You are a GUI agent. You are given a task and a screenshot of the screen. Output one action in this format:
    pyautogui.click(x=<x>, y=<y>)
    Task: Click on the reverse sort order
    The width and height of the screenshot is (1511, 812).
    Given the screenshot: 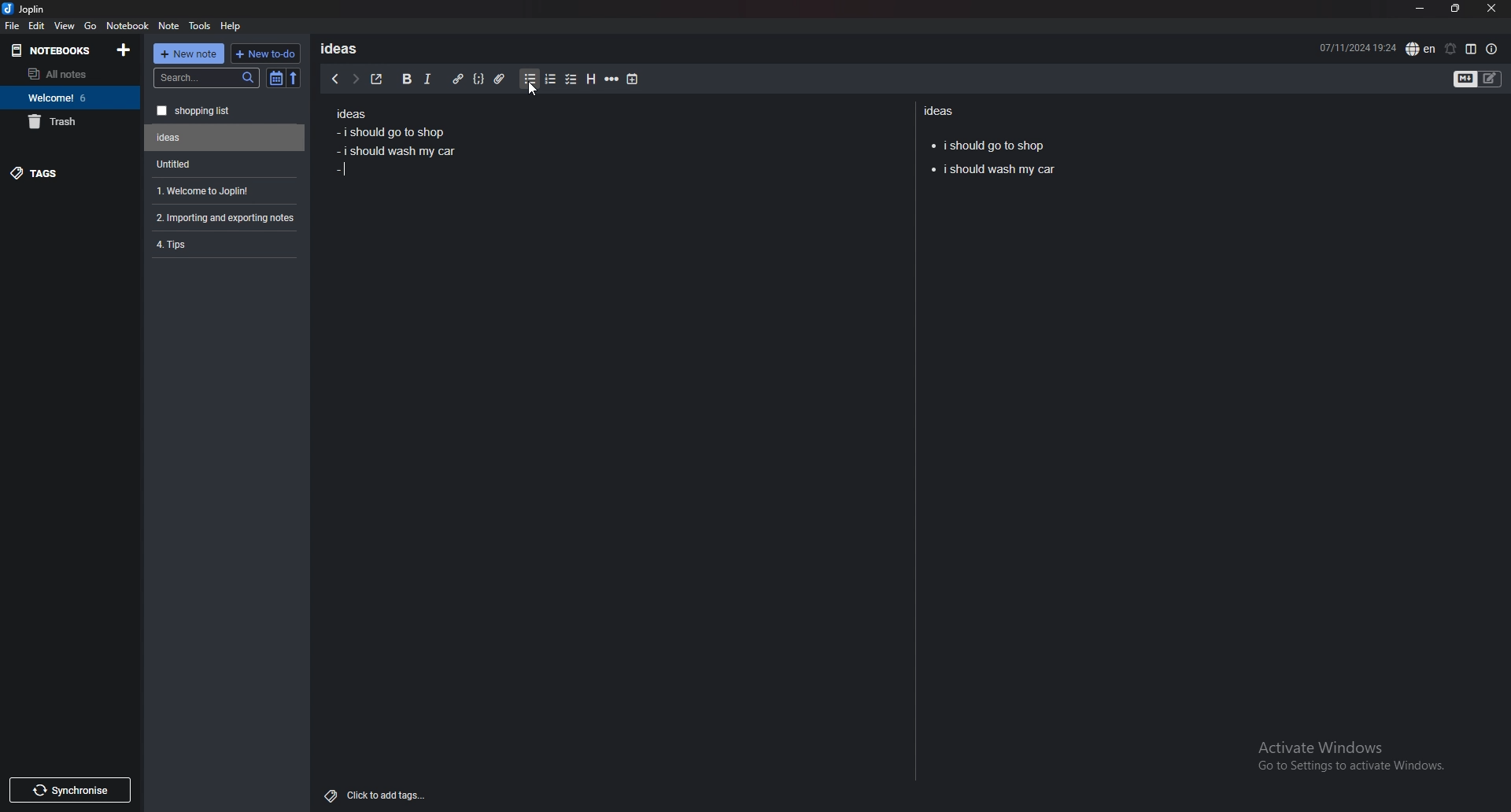 What is the action you would take?
    pyautogui.click(x=294, y=79)
    